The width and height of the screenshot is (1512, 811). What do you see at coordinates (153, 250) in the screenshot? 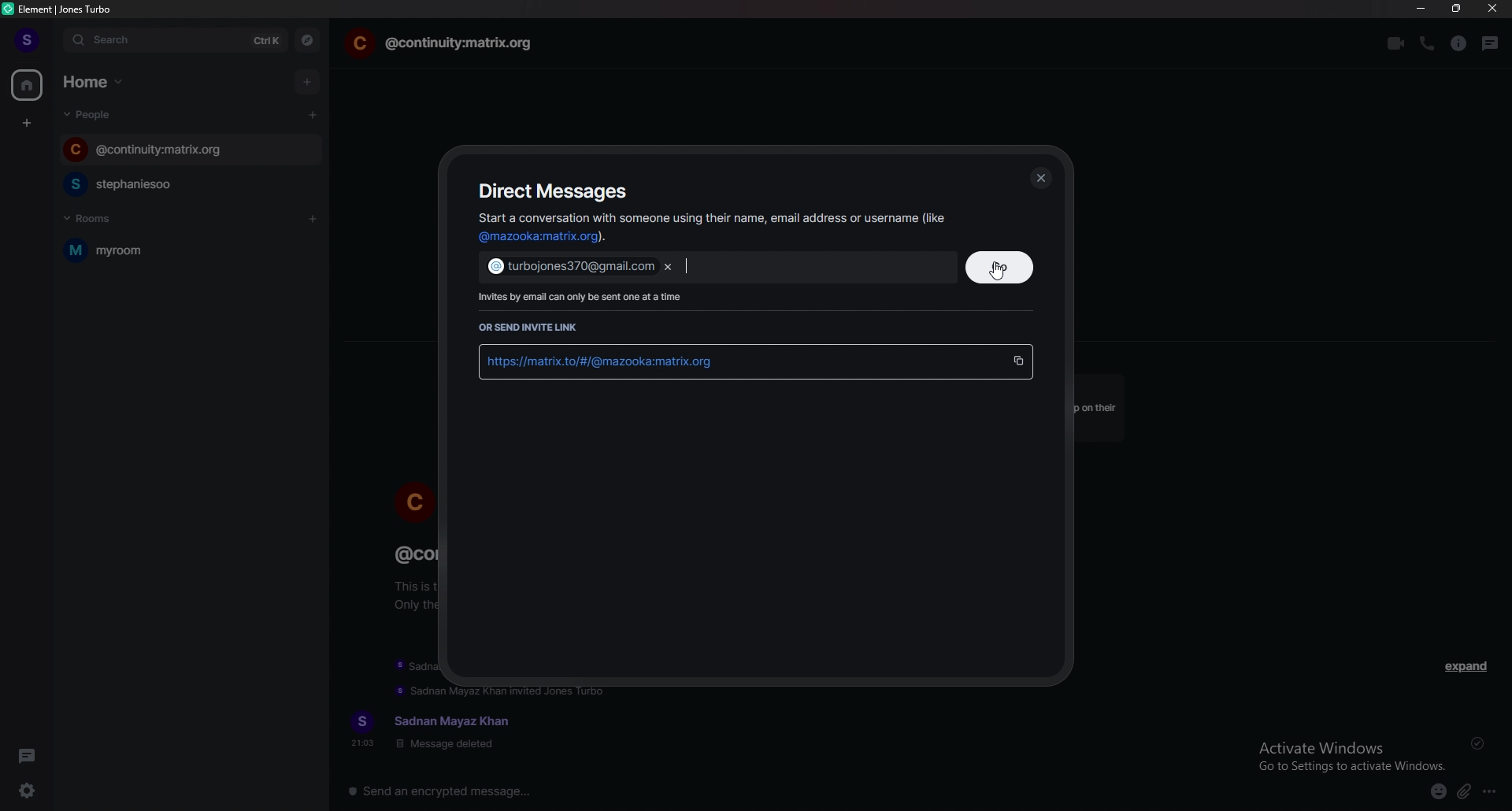
I see `myroom` at bounding box center [153, 250].